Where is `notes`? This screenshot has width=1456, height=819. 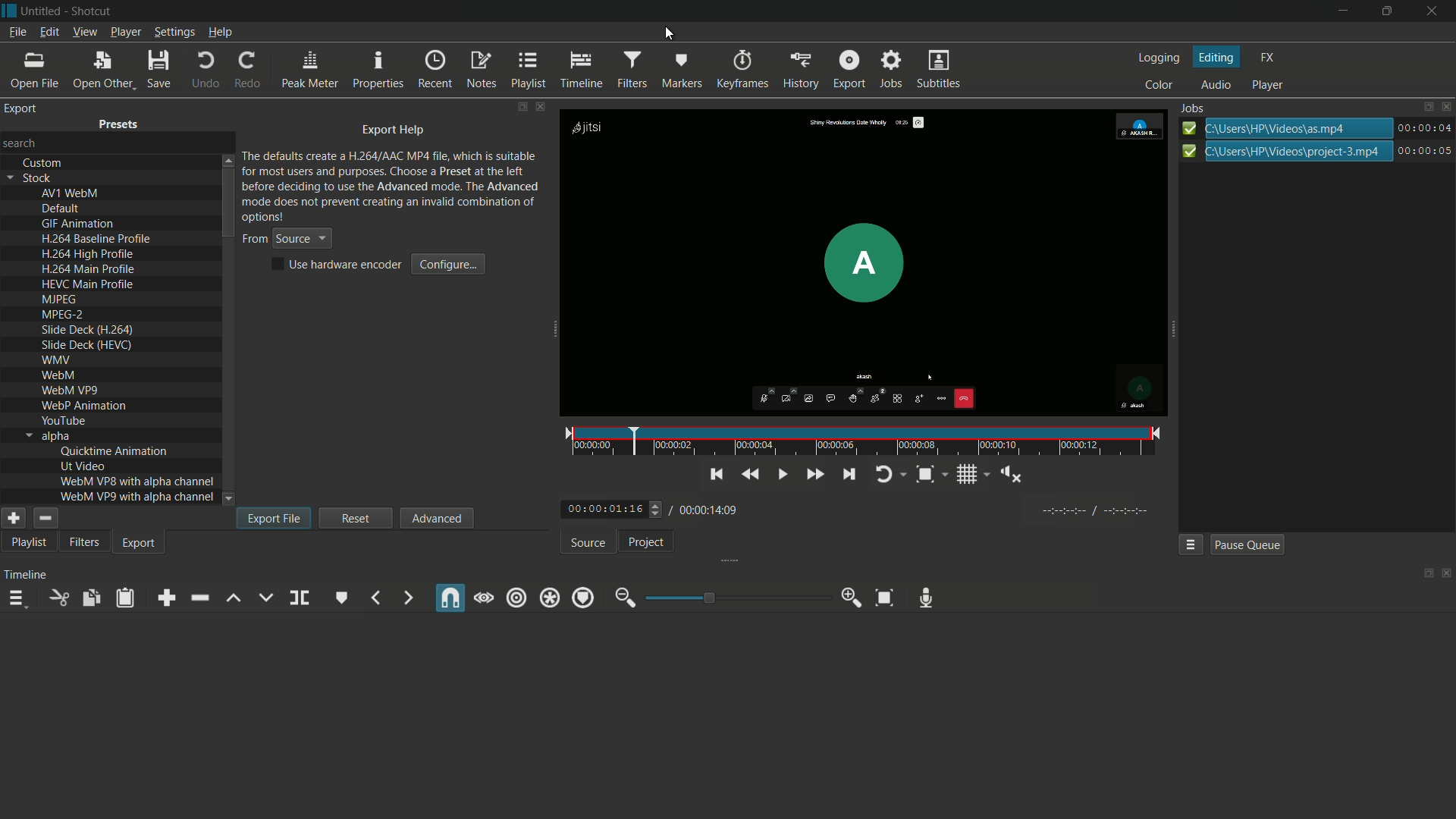 notes is located at coordinates (481, 71).